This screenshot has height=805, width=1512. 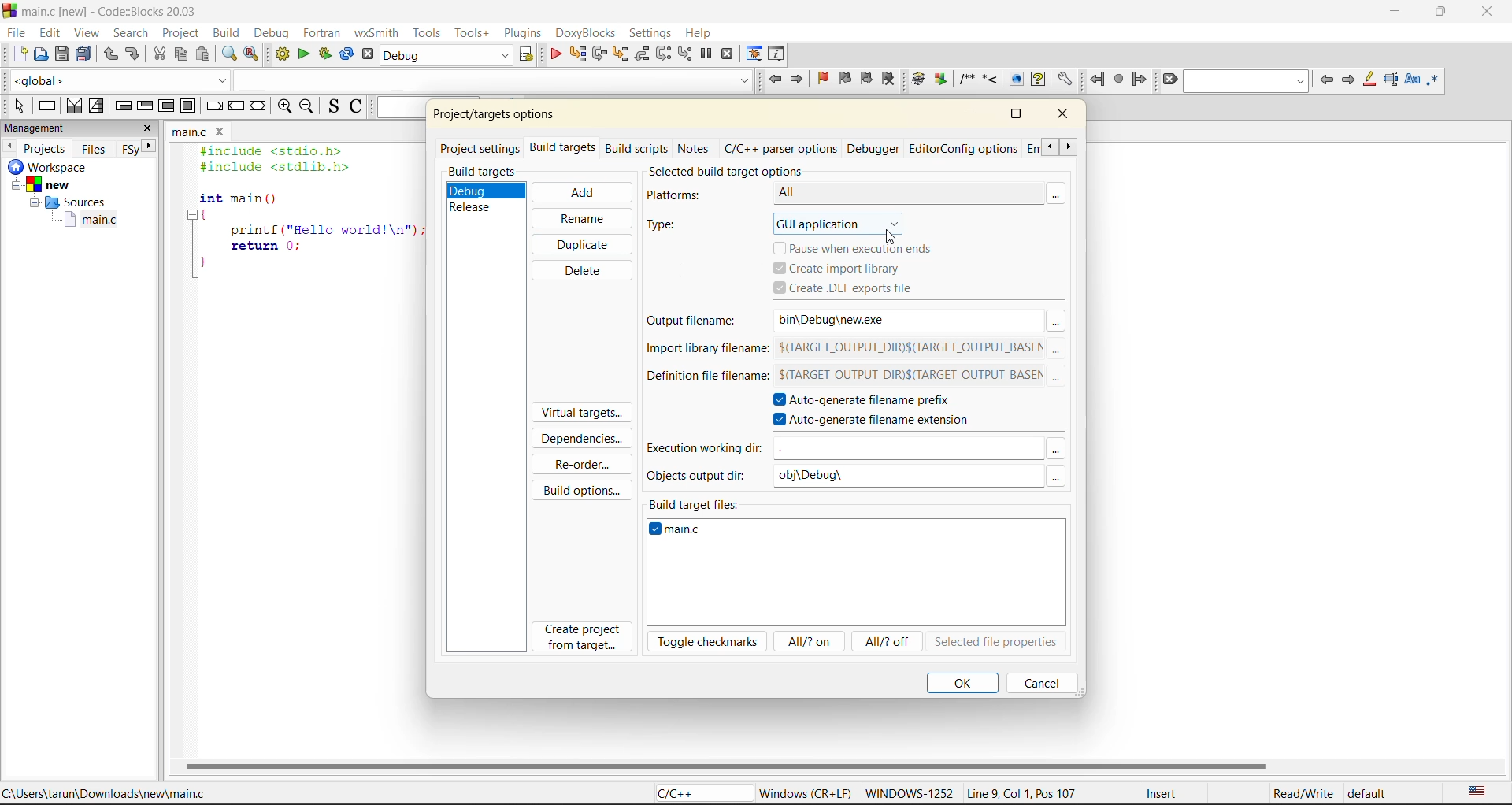 I want to click on break instruction, so click(x=187, y=106).